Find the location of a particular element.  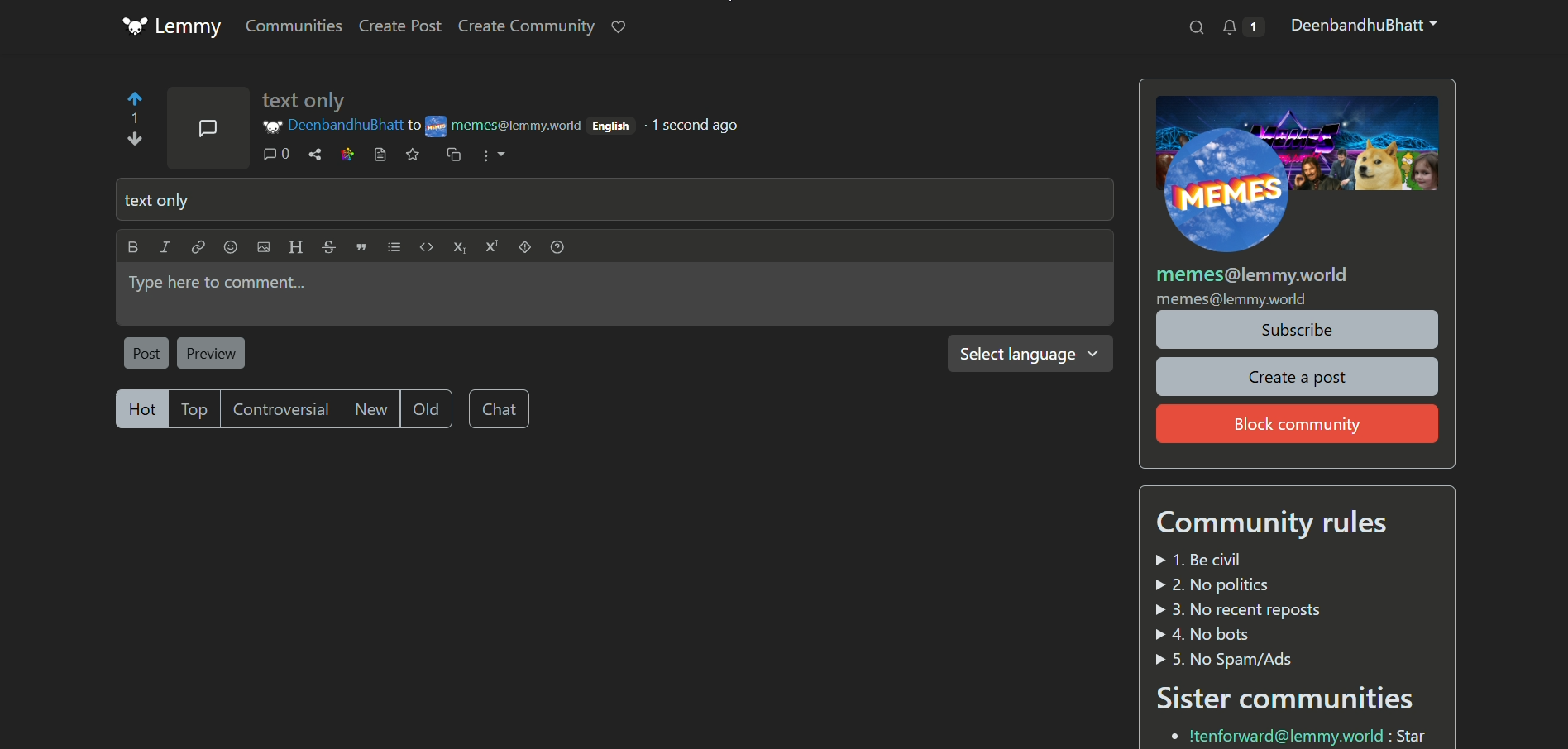

view is located at coordinates (349, 155).